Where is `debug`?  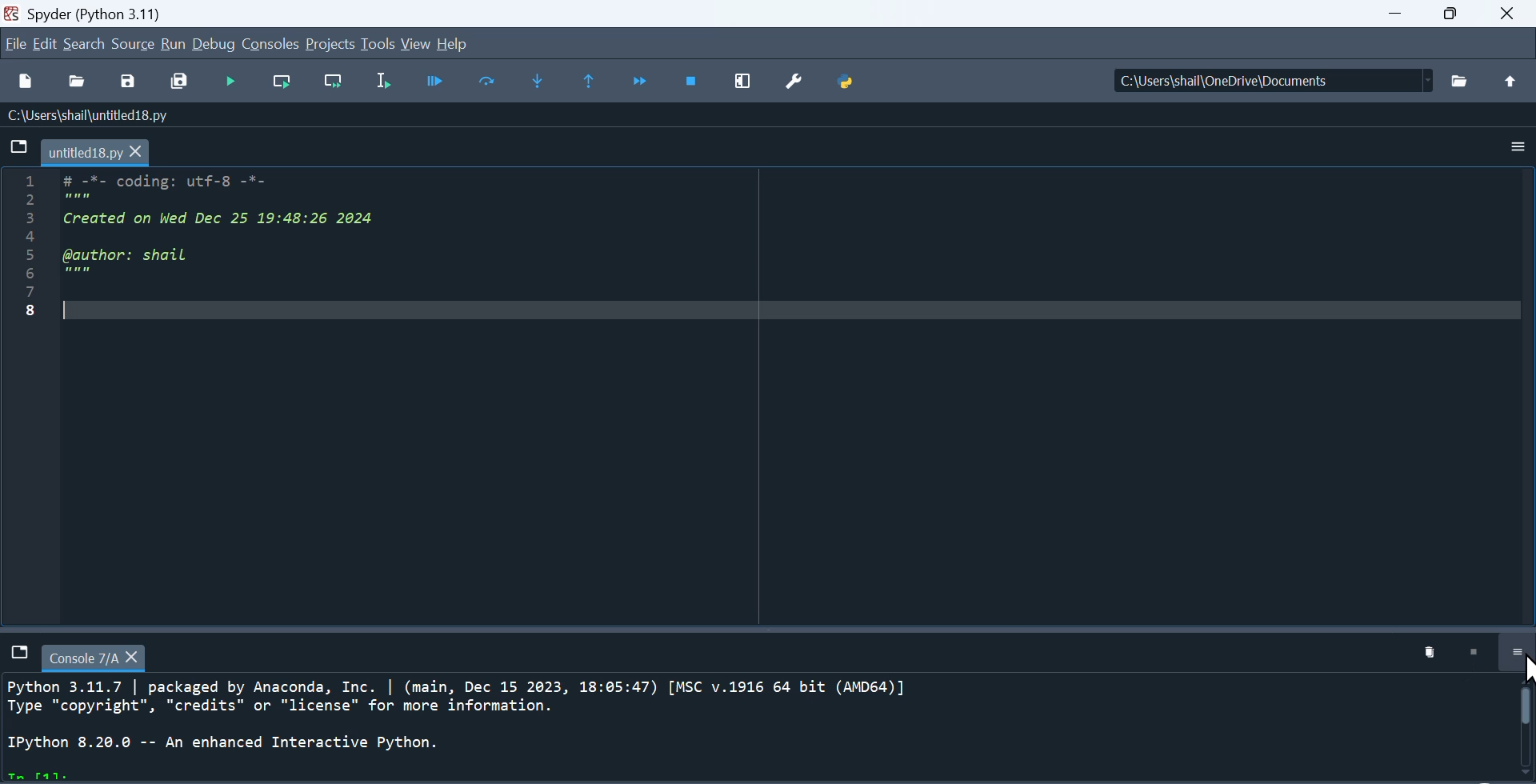
debug is located at coordinates (211, 45).